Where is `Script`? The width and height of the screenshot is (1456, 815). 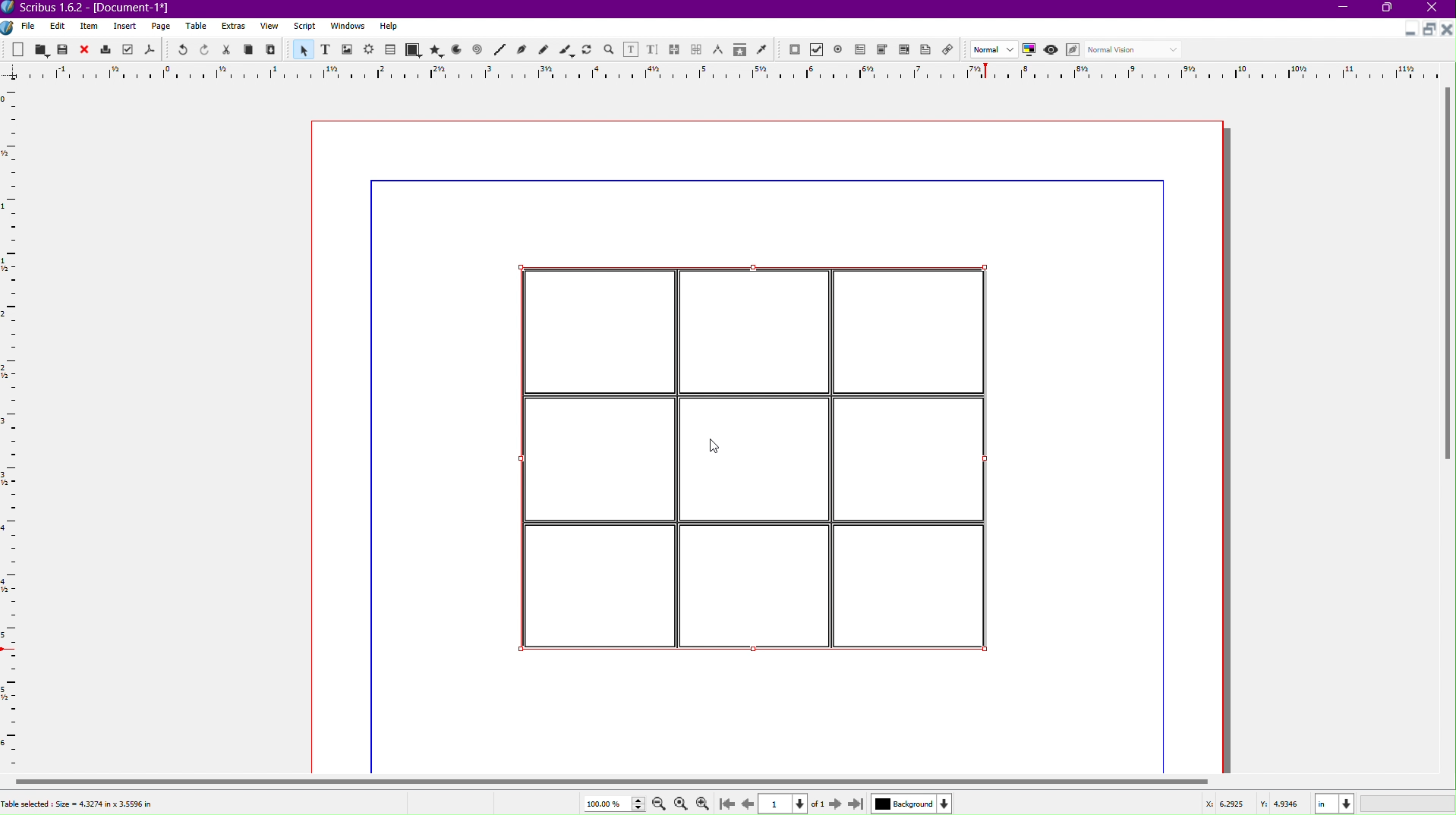
Script is located at coordinates (304, 27).